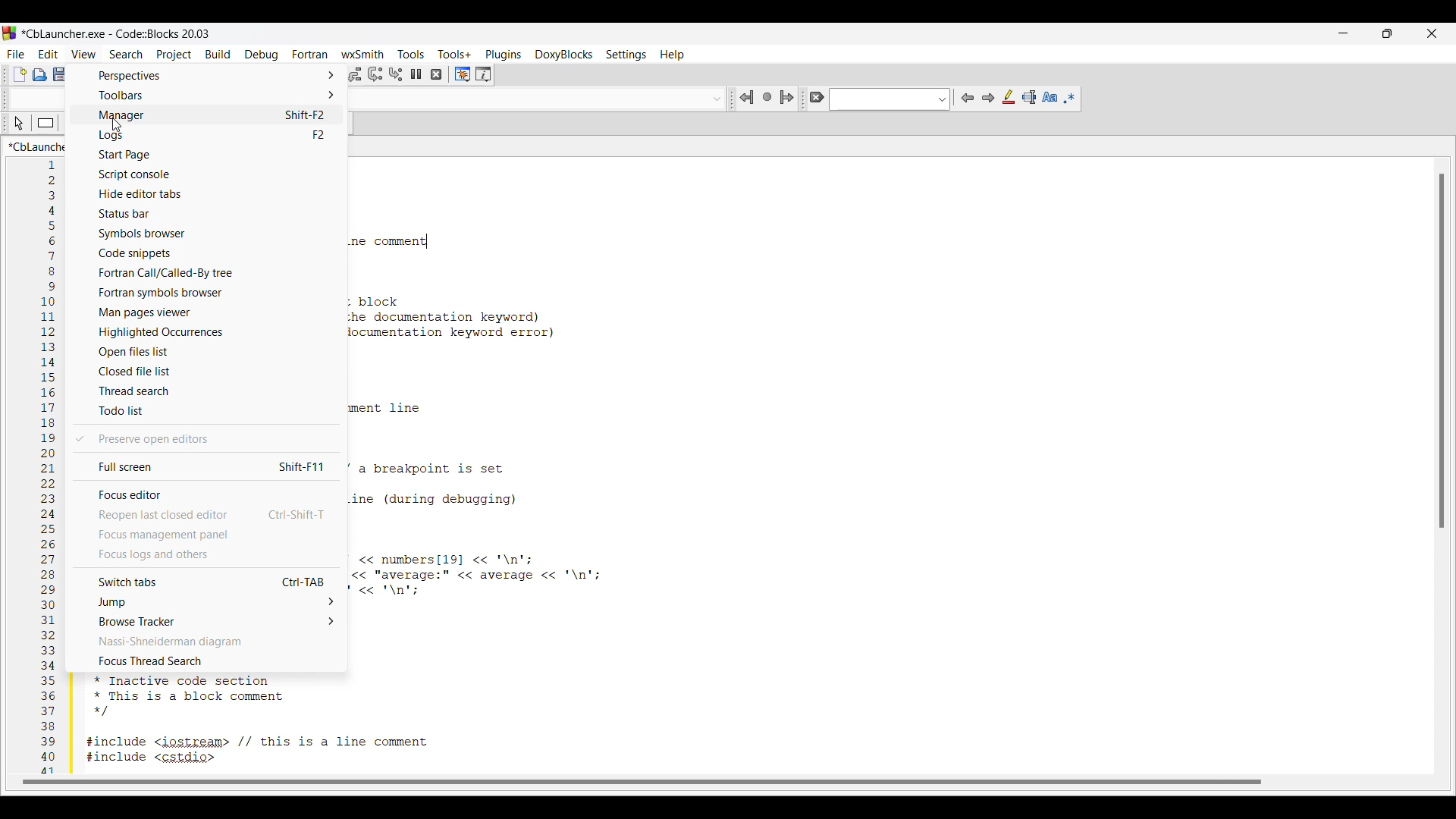 This screenshot has height=819, width=1456. What do you see at coordinates (411, 54) in the screenshot?
I see `Tools menu` at bounding box center [411, 54].